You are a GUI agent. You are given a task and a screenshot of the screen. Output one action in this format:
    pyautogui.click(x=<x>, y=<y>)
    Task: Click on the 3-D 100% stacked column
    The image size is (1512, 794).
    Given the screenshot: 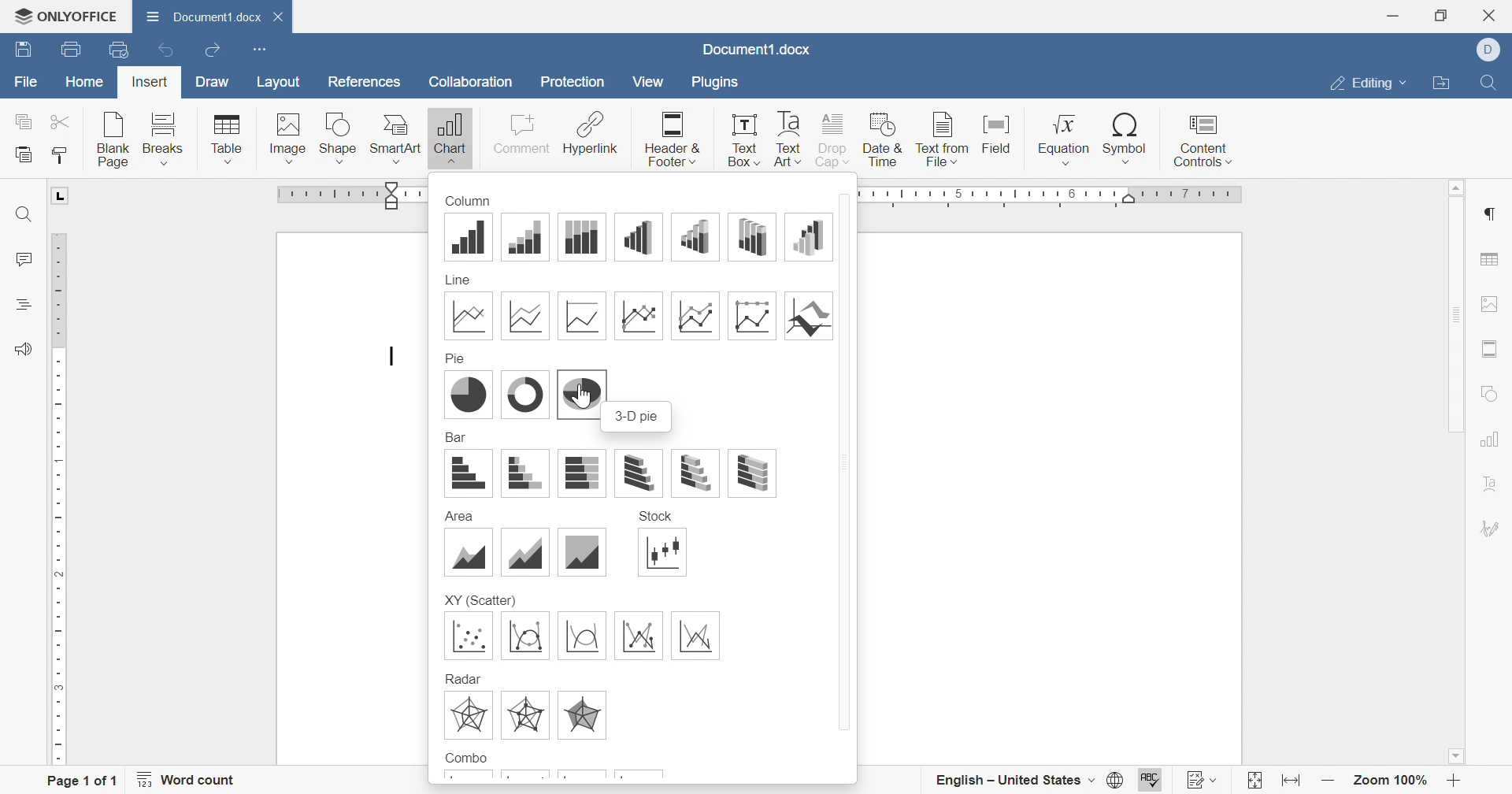 What is the action you would take?
    pyautogui.click(x=752, y=236)
    